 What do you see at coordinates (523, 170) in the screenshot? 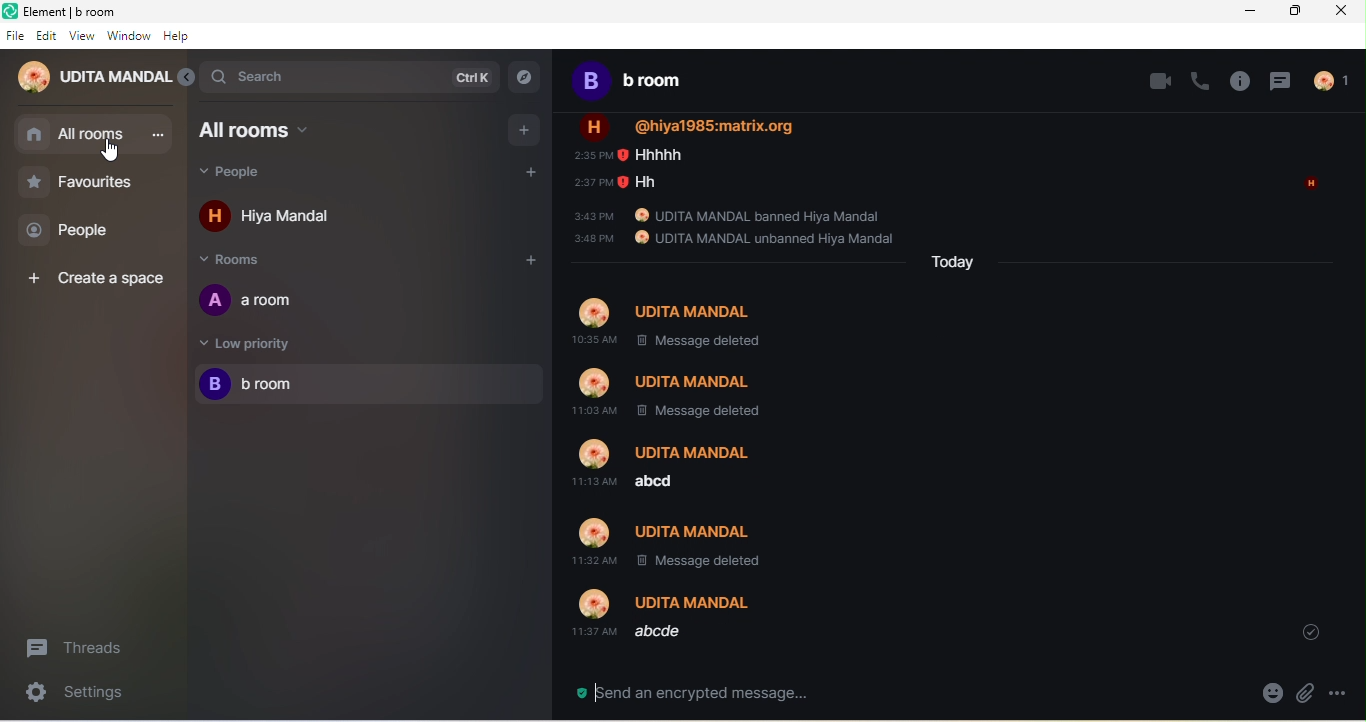
I see `add people` at bounding box center [523, 170].